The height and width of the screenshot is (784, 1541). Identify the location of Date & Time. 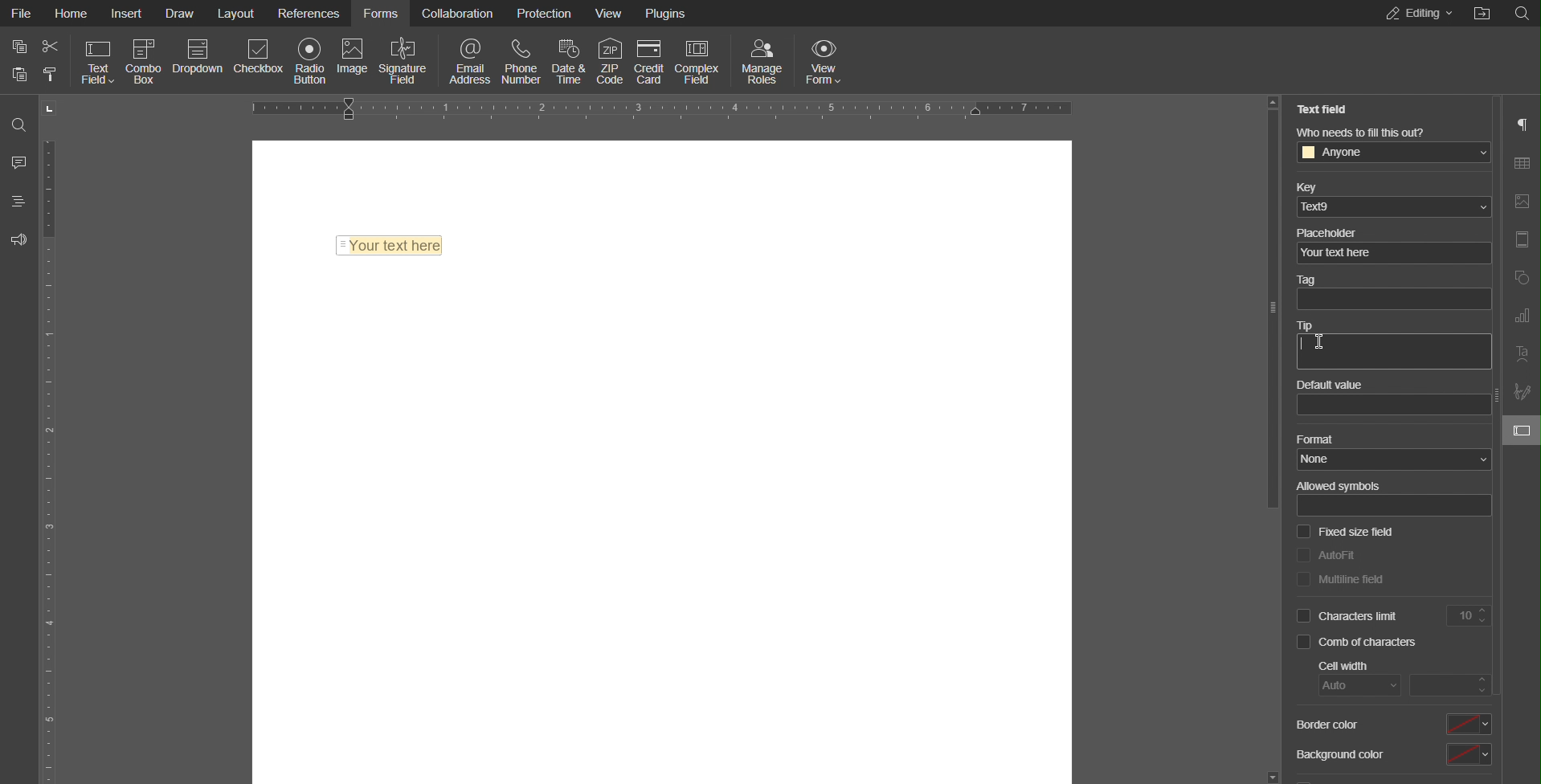
(570, 59).